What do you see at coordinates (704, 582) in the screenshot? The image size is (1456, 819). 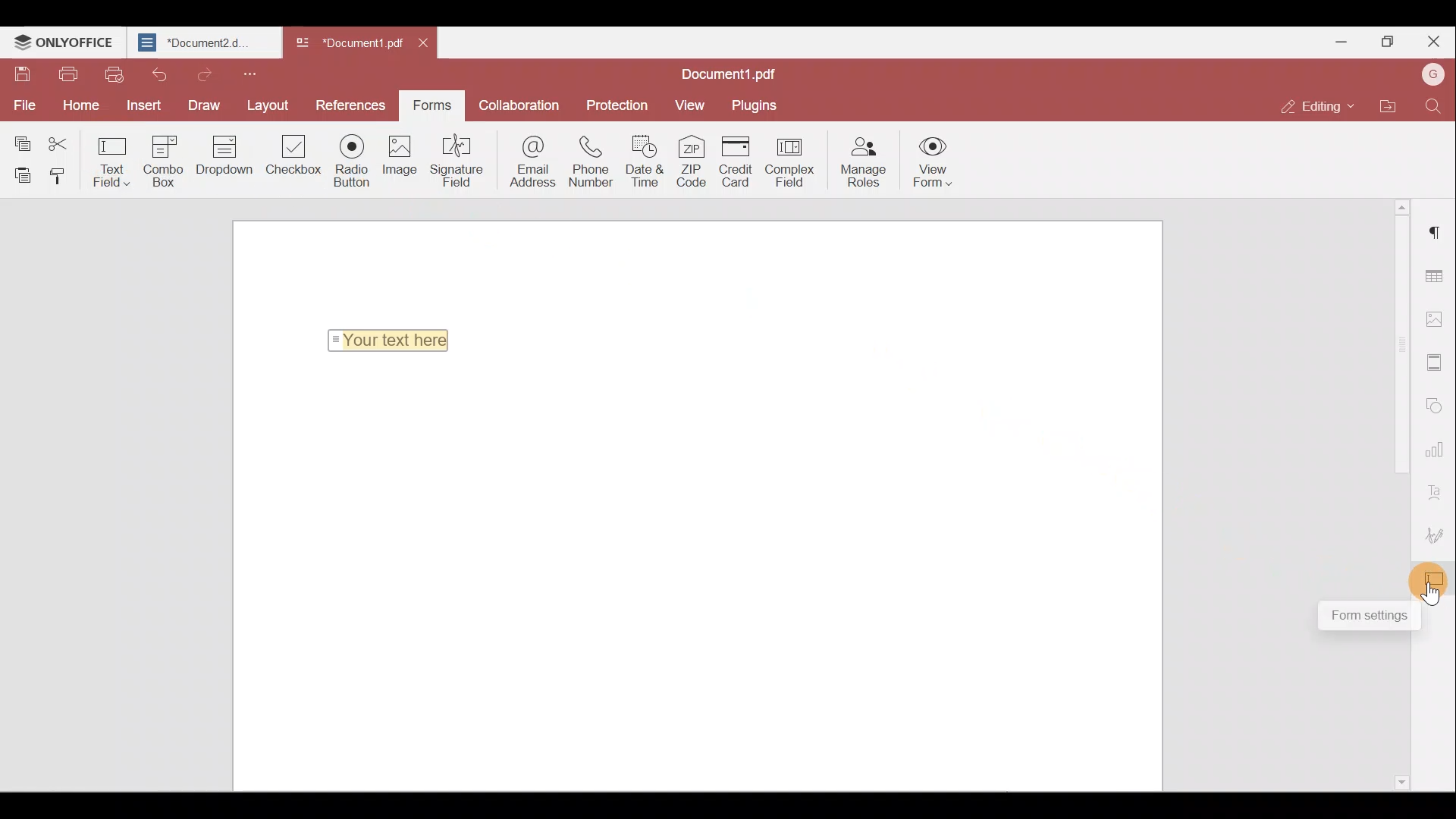 I see `Working area` at bounding box center [704, 582].